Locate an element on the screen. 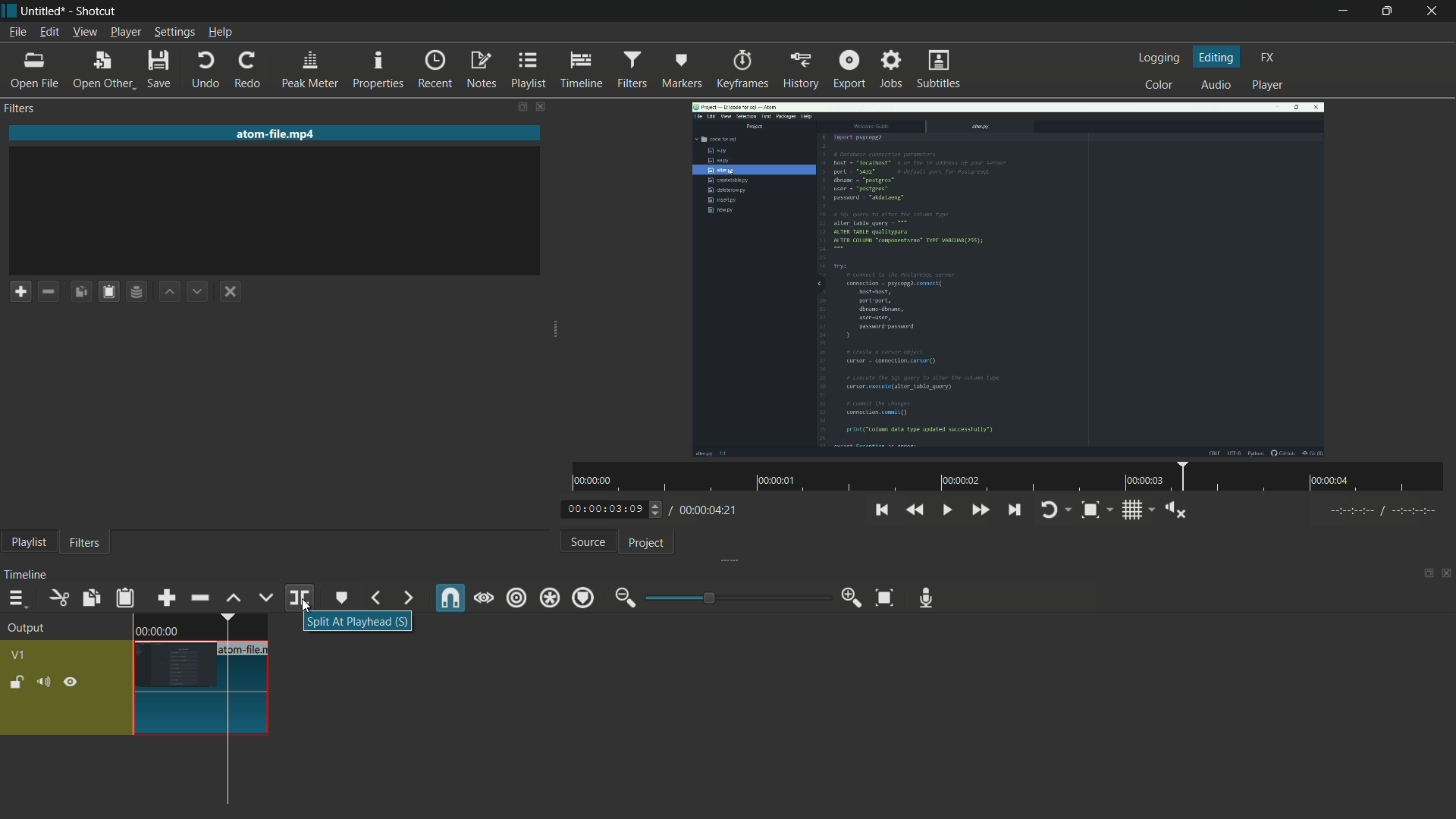 Image resolution: width=1456 pixels, height=819 pixels. v1 is located at coordinates (20, 655).